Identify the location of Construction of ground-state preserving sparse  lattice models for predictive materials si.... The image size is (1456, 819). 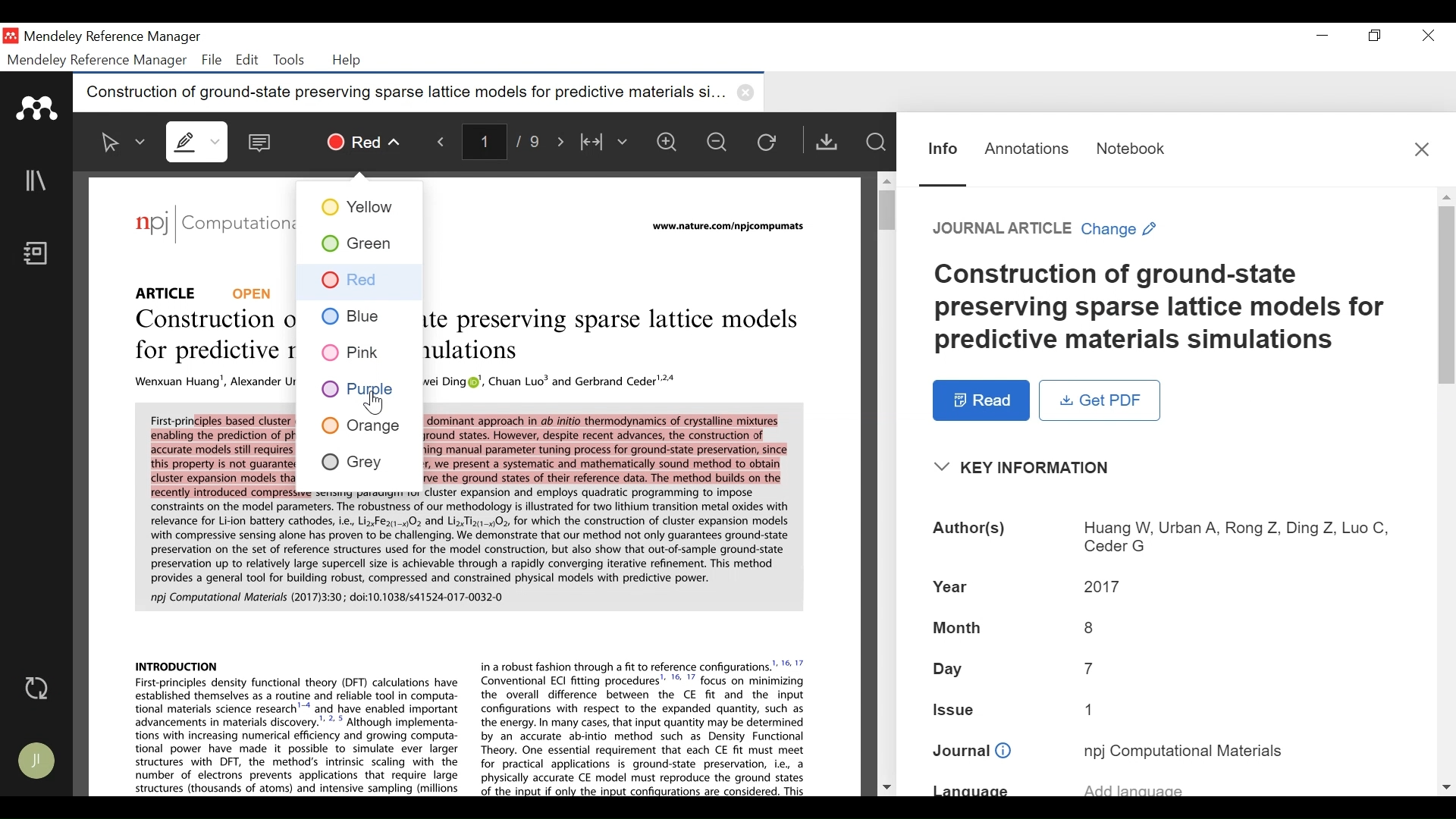
(419, 90).